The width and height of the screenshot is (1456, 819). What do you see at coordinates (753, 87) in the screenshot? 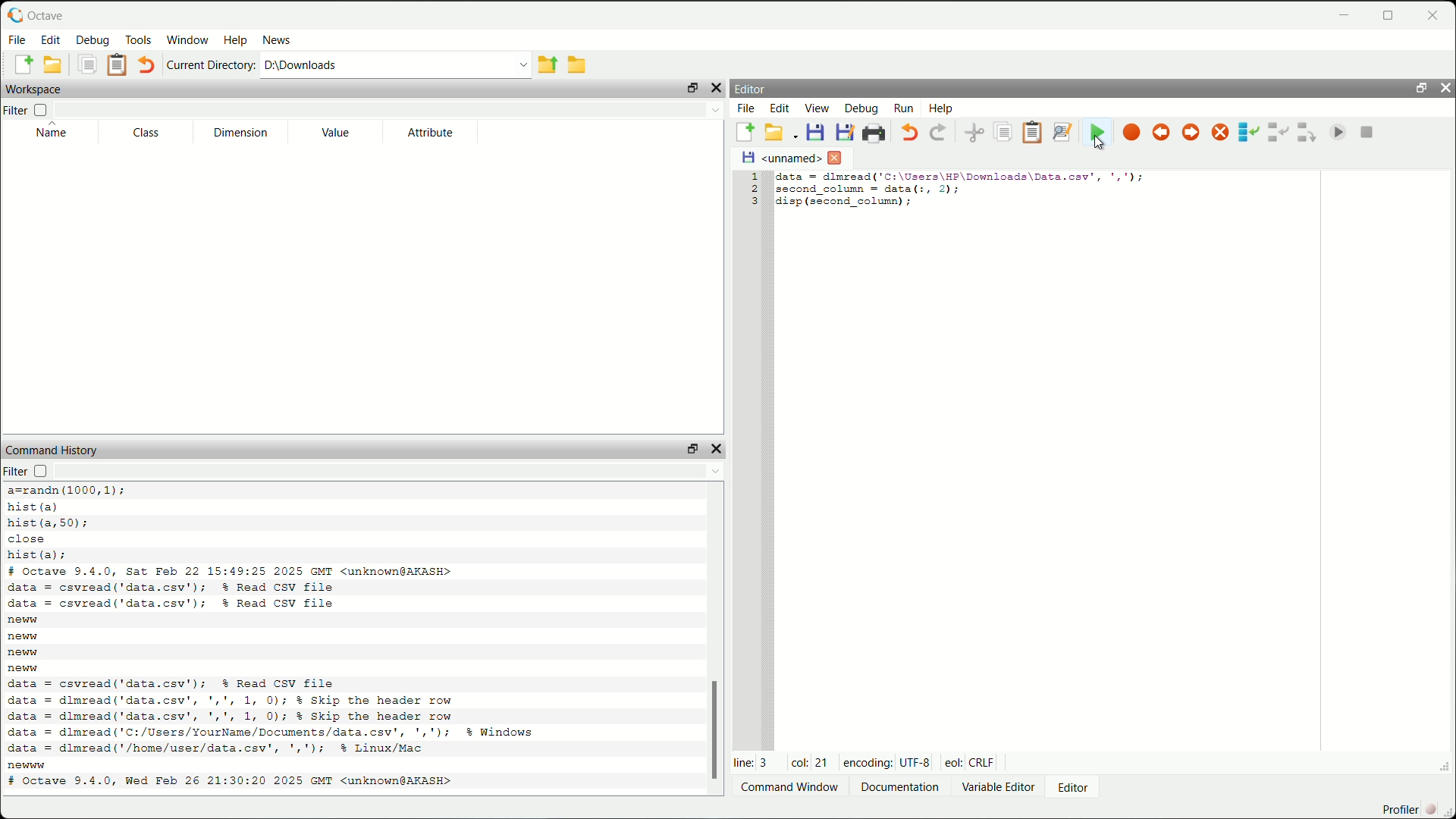
I see `editor` at bounding box center [753, 87].